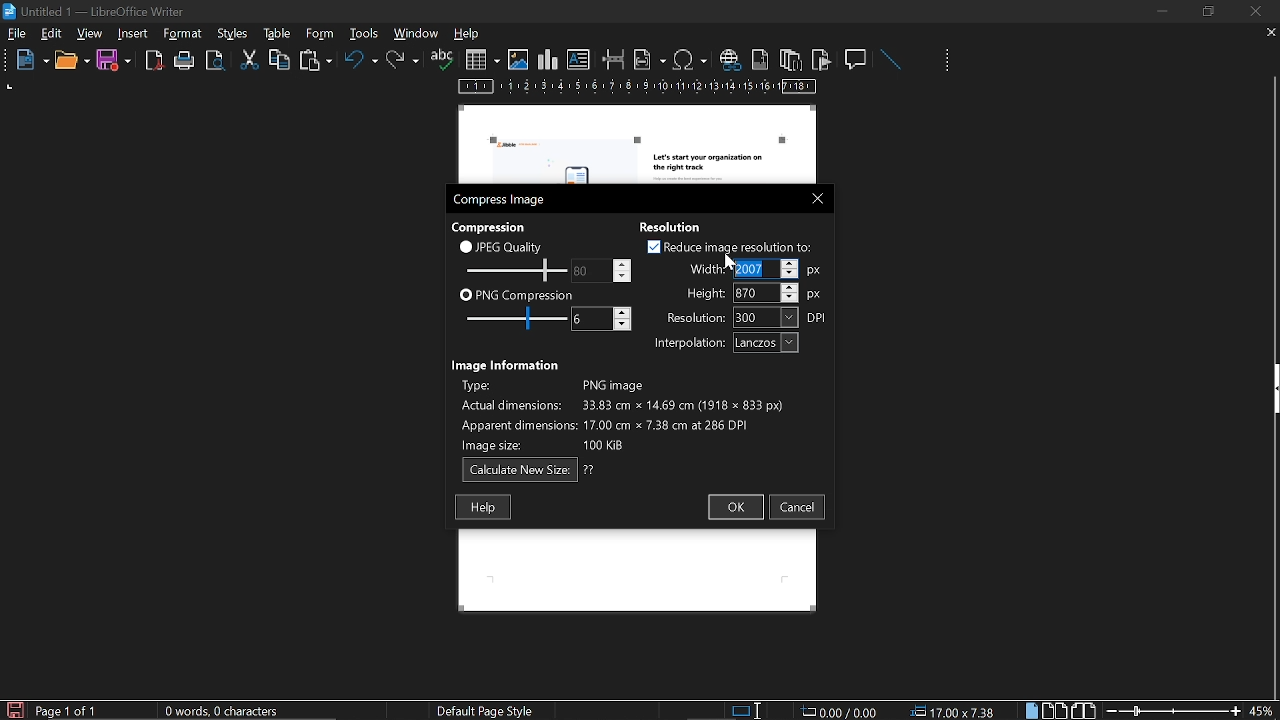 The image size is (1280, 720). I want to click on png compression scale, so click(511, 318).